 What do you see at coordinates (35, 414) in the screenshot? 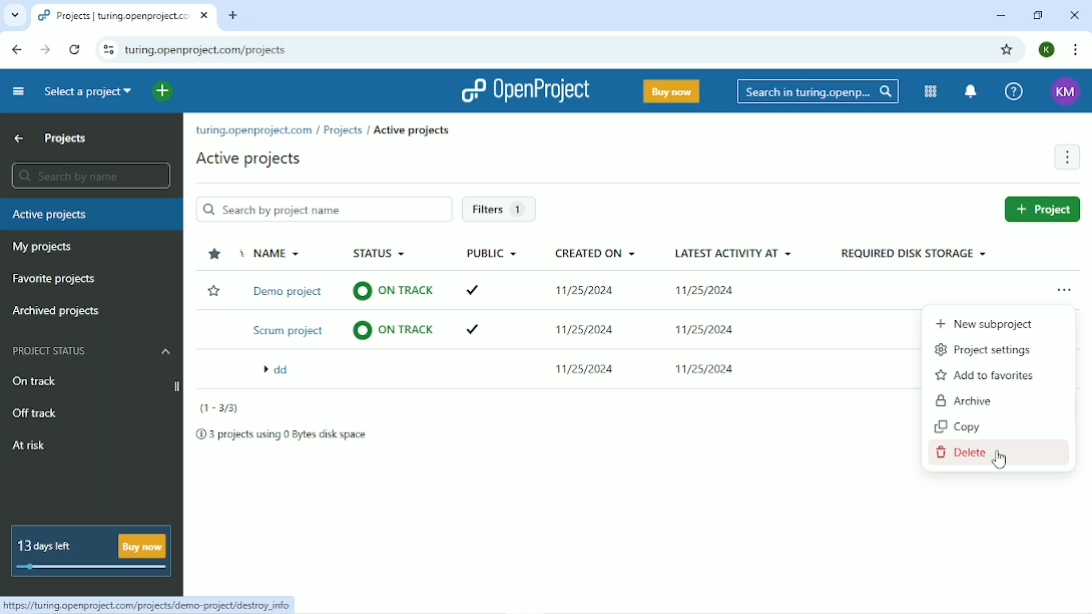
I see `Off track` at bounding box center [35, 414].